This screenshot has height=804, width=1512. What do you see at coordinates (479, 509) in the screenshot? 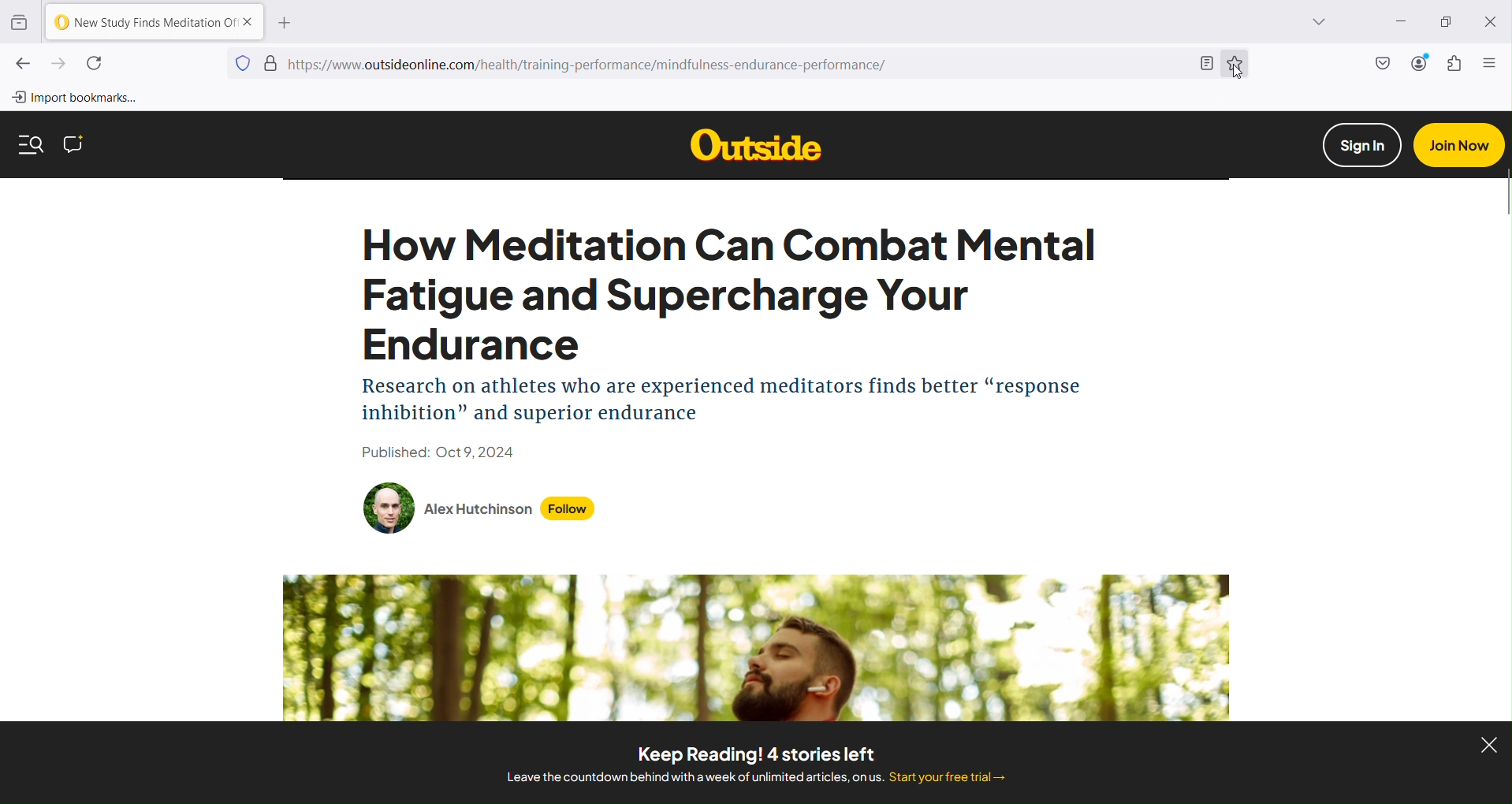
I see `Author name` at bounding box center [479, 509].